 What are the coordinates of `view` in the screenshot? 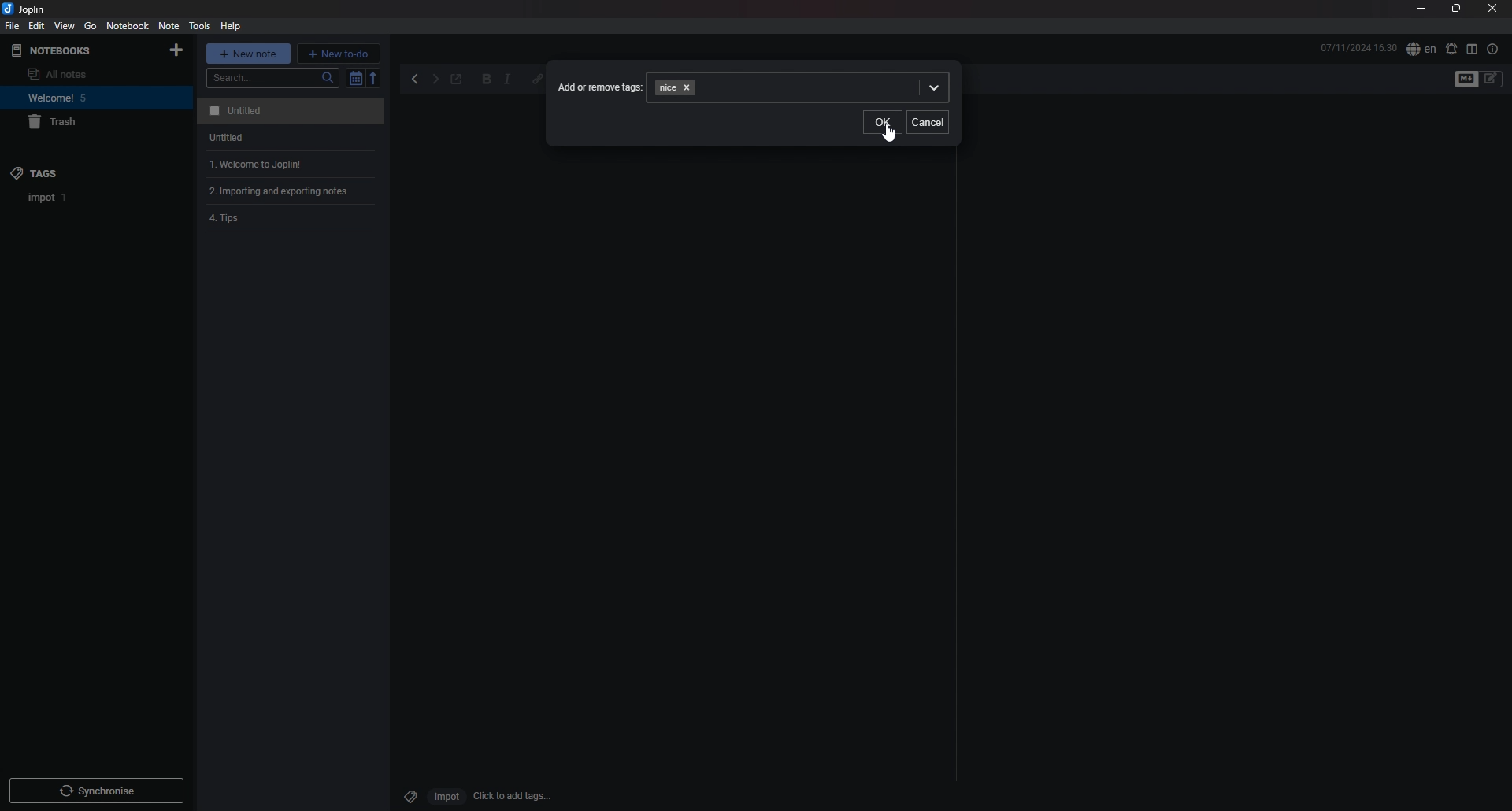 It's located at (65, 26).